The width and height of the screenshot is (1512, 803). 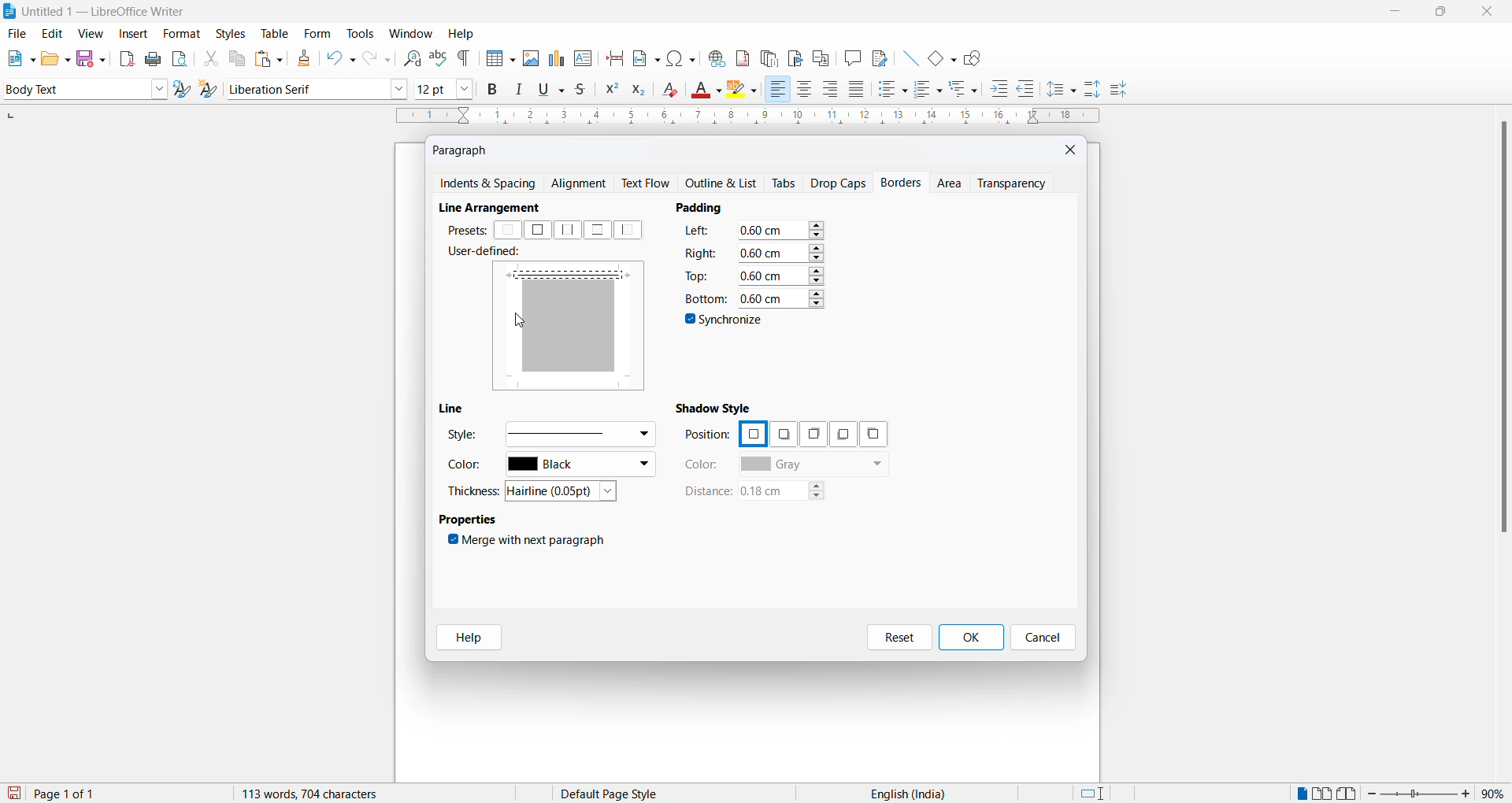 What do you see at coordinates (230, 32) in the screenshot?
I see `styles` at bounding box center [230, 32].